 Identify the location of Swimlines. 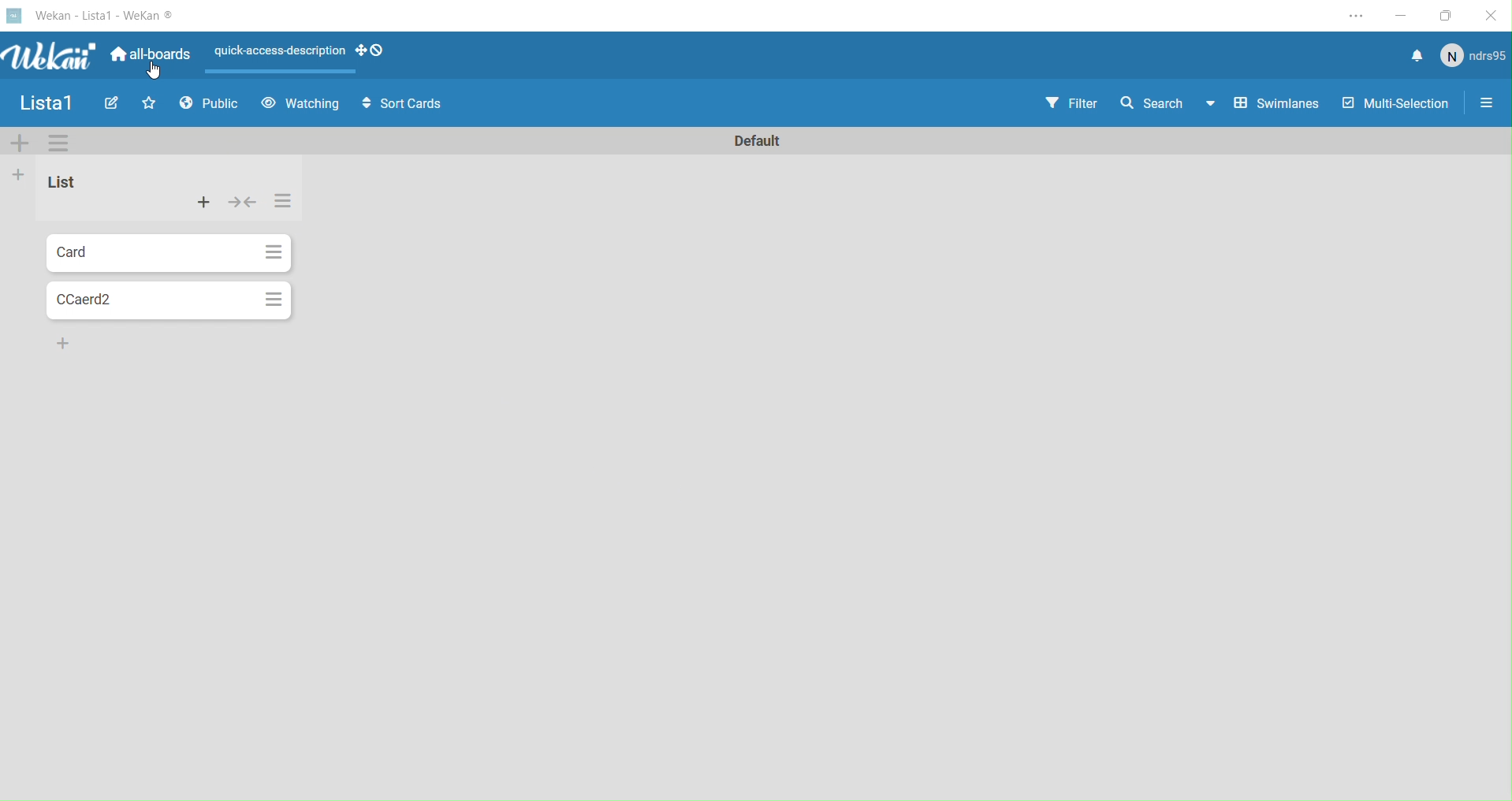
(1272, 103).